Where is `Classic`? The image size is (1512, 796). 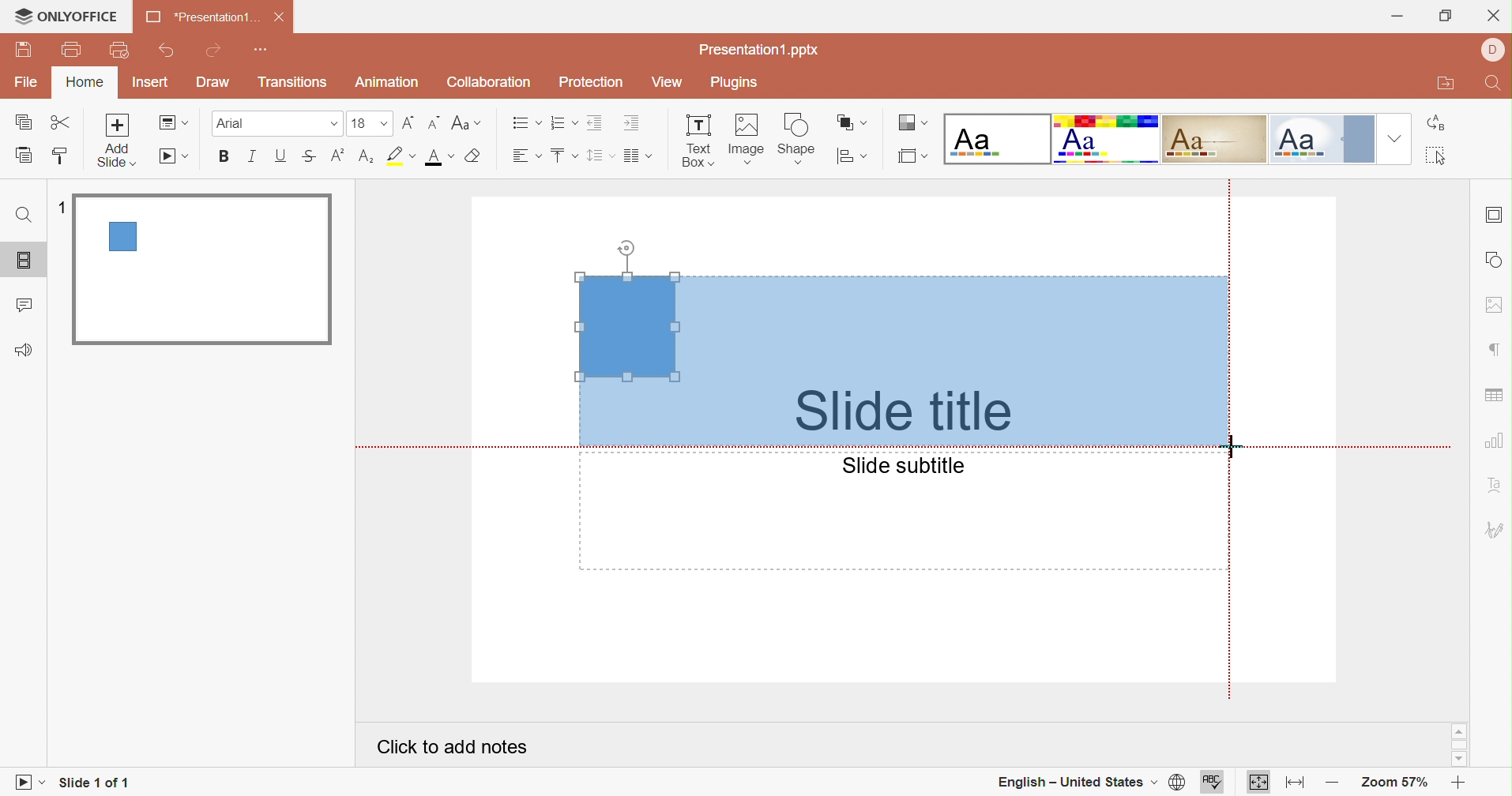
Classic is located at coordinates (1214, 138).